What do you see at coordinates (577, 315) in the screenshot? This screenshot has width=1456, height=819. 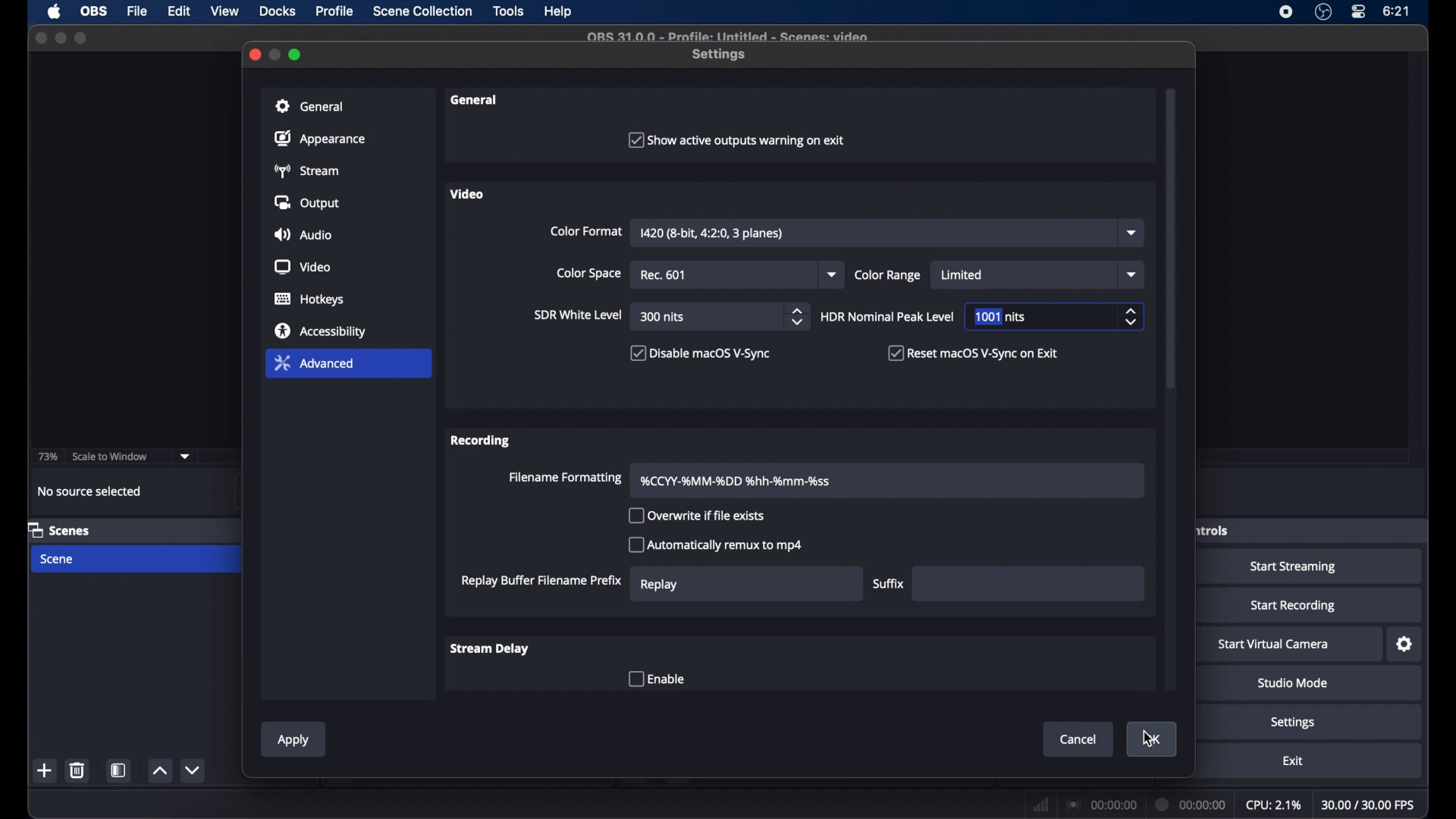 I see `sir white level` at bounding box center [577, 315].